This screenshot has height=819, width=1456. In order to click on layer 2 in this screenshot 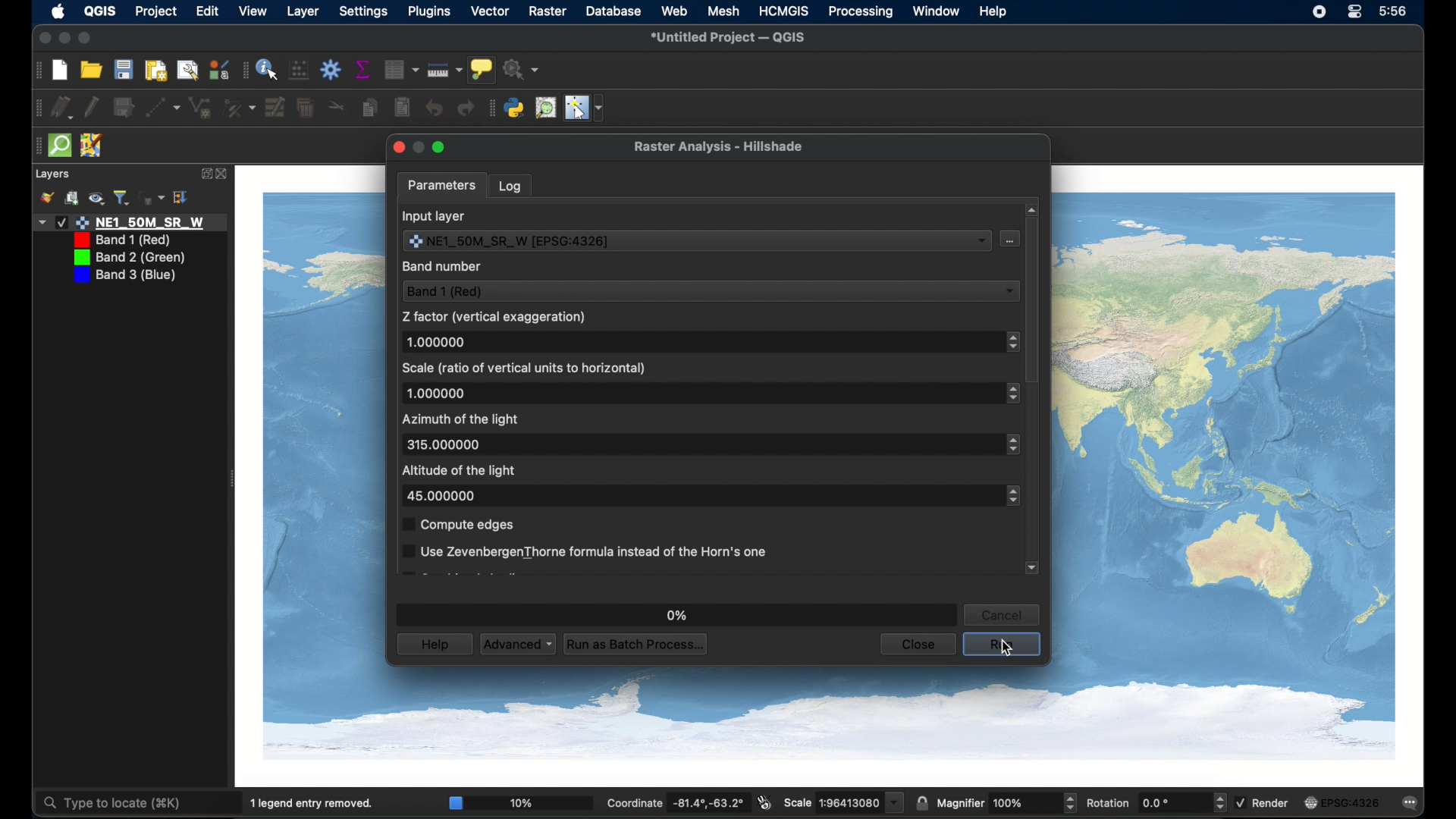, I will do `click(118, 240)`.